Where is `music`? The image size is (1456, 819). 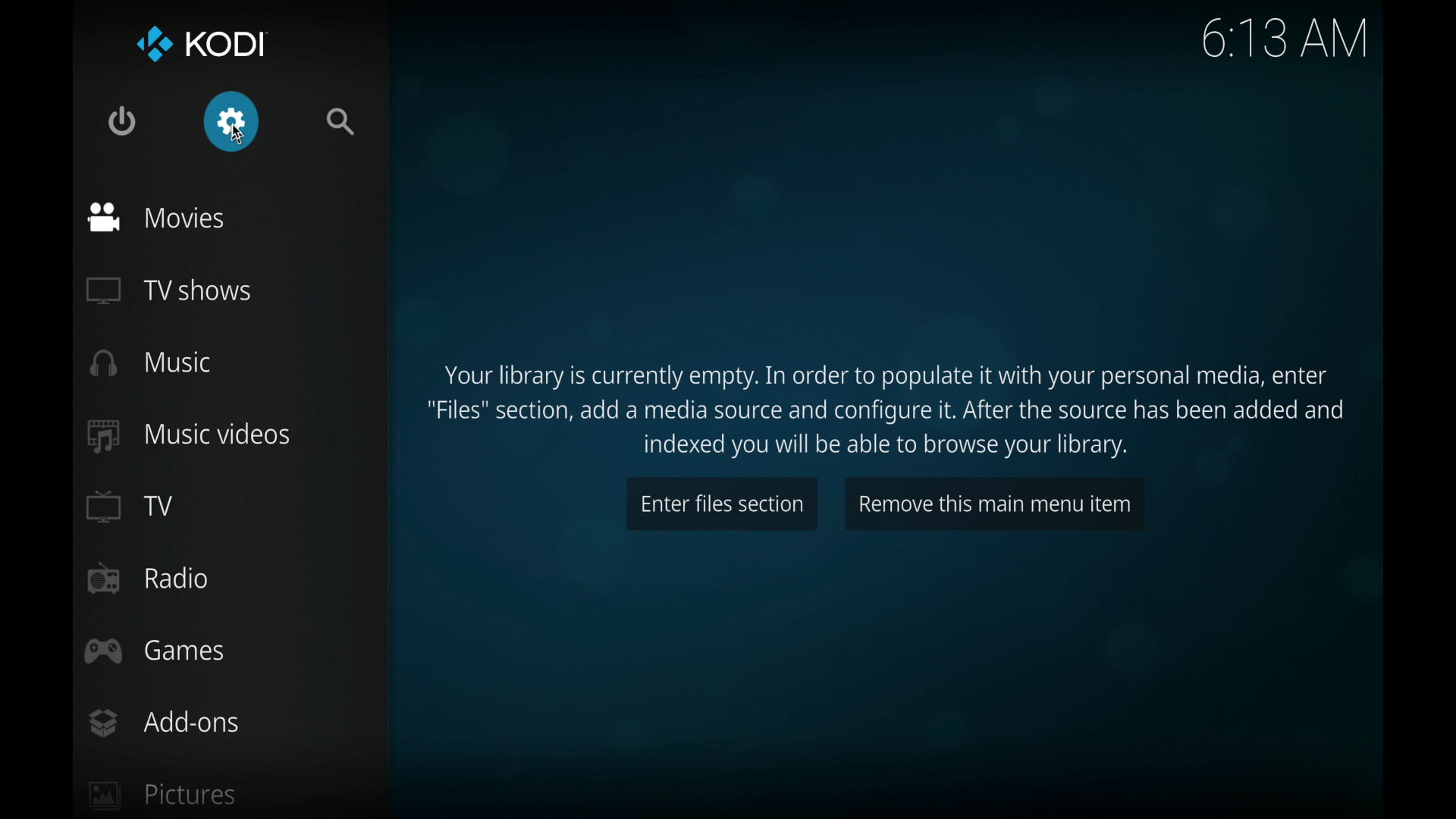
music is located at coordinates (152, 362).